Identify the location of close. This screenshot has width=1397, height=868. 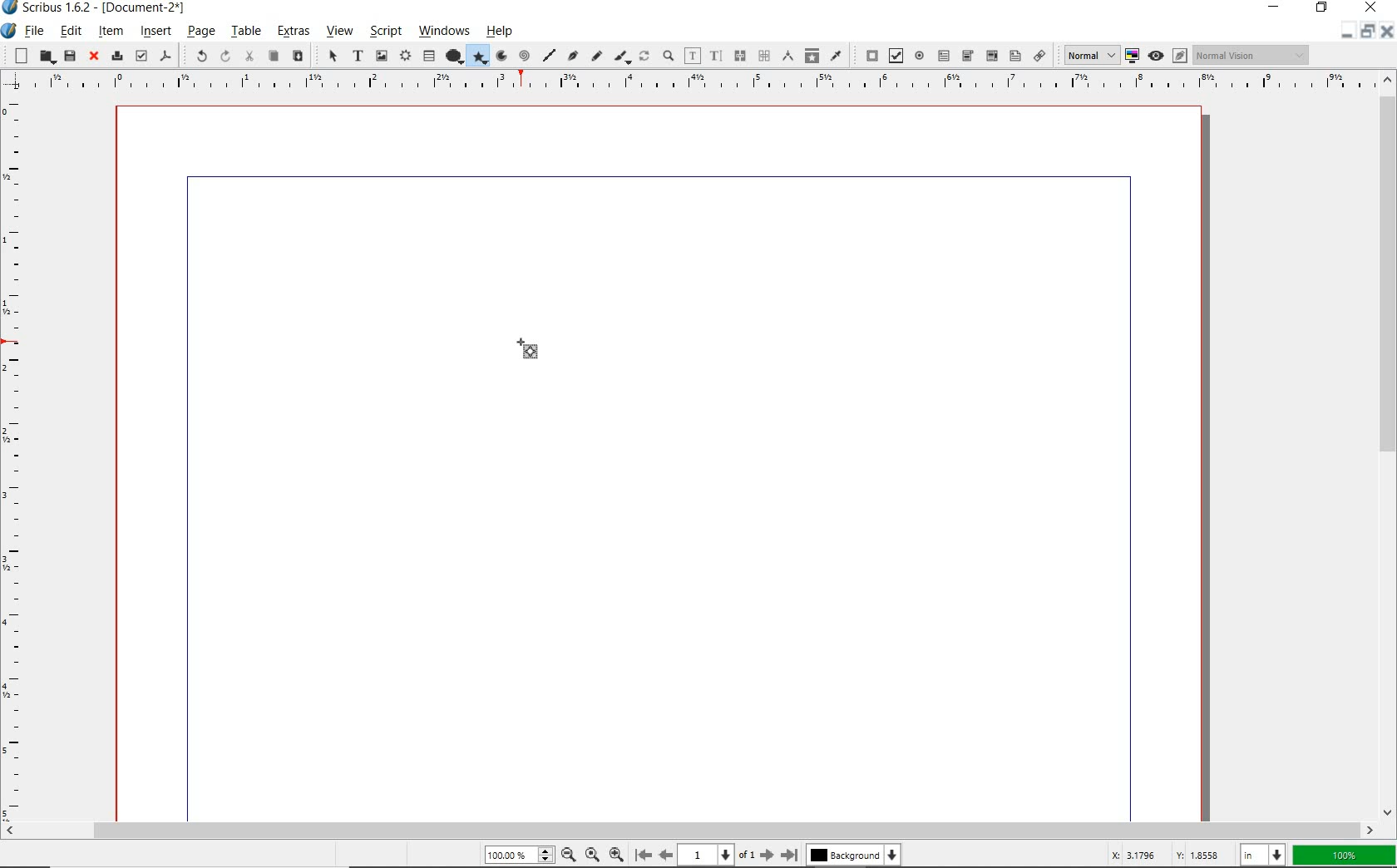
(93, 57).